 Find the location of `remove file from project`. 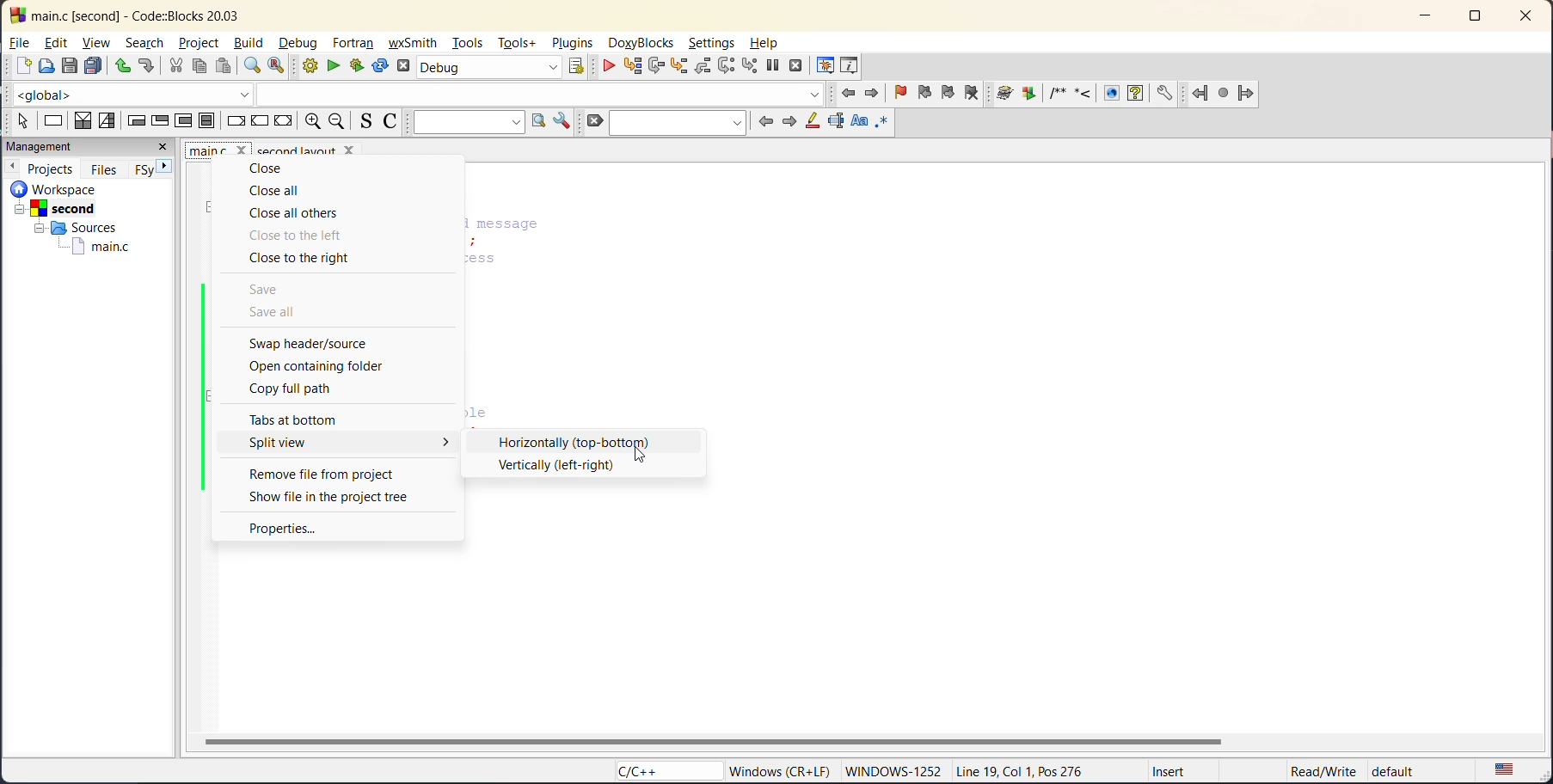

remove file from project is located at coordinates (320, 473).